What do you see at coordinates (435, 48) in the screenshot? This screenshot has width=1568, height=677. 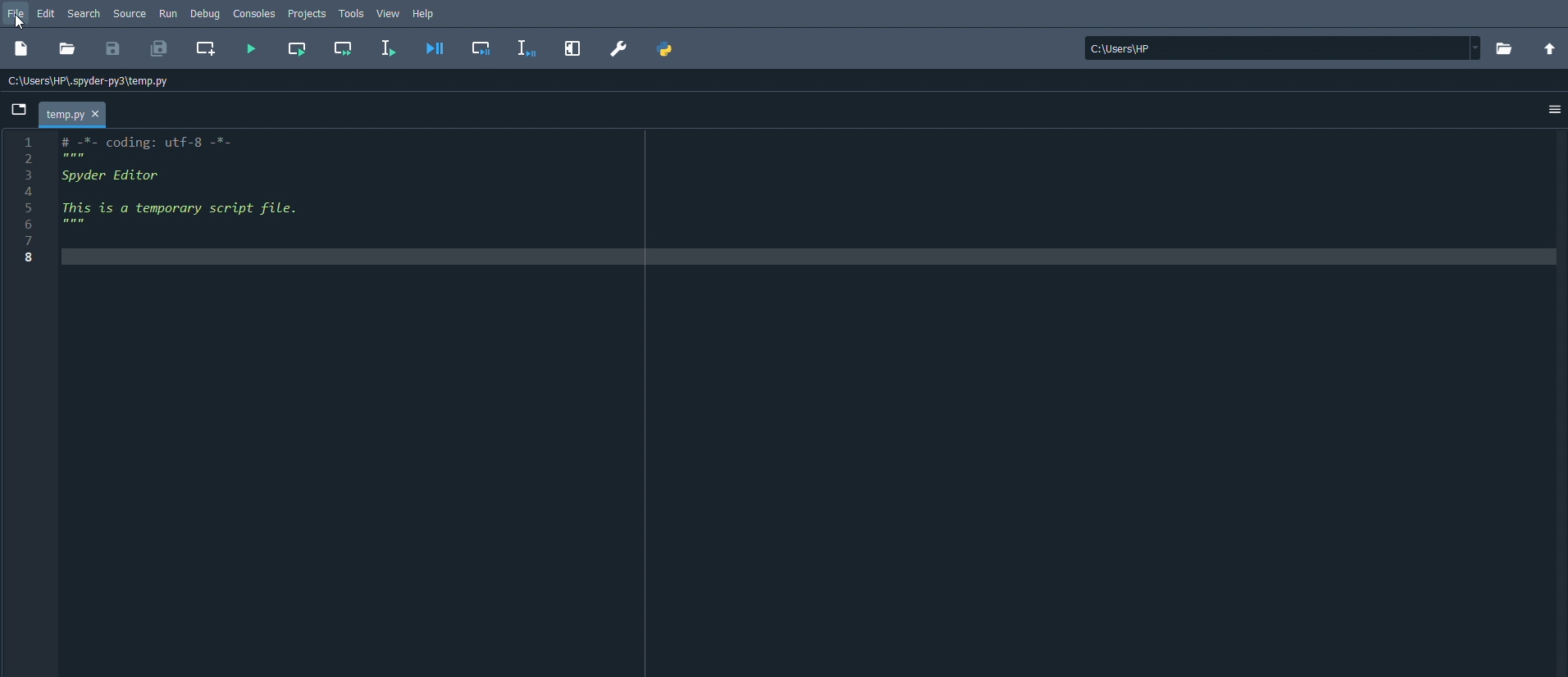 I see `Debug file` at bounding box center [435, 48].